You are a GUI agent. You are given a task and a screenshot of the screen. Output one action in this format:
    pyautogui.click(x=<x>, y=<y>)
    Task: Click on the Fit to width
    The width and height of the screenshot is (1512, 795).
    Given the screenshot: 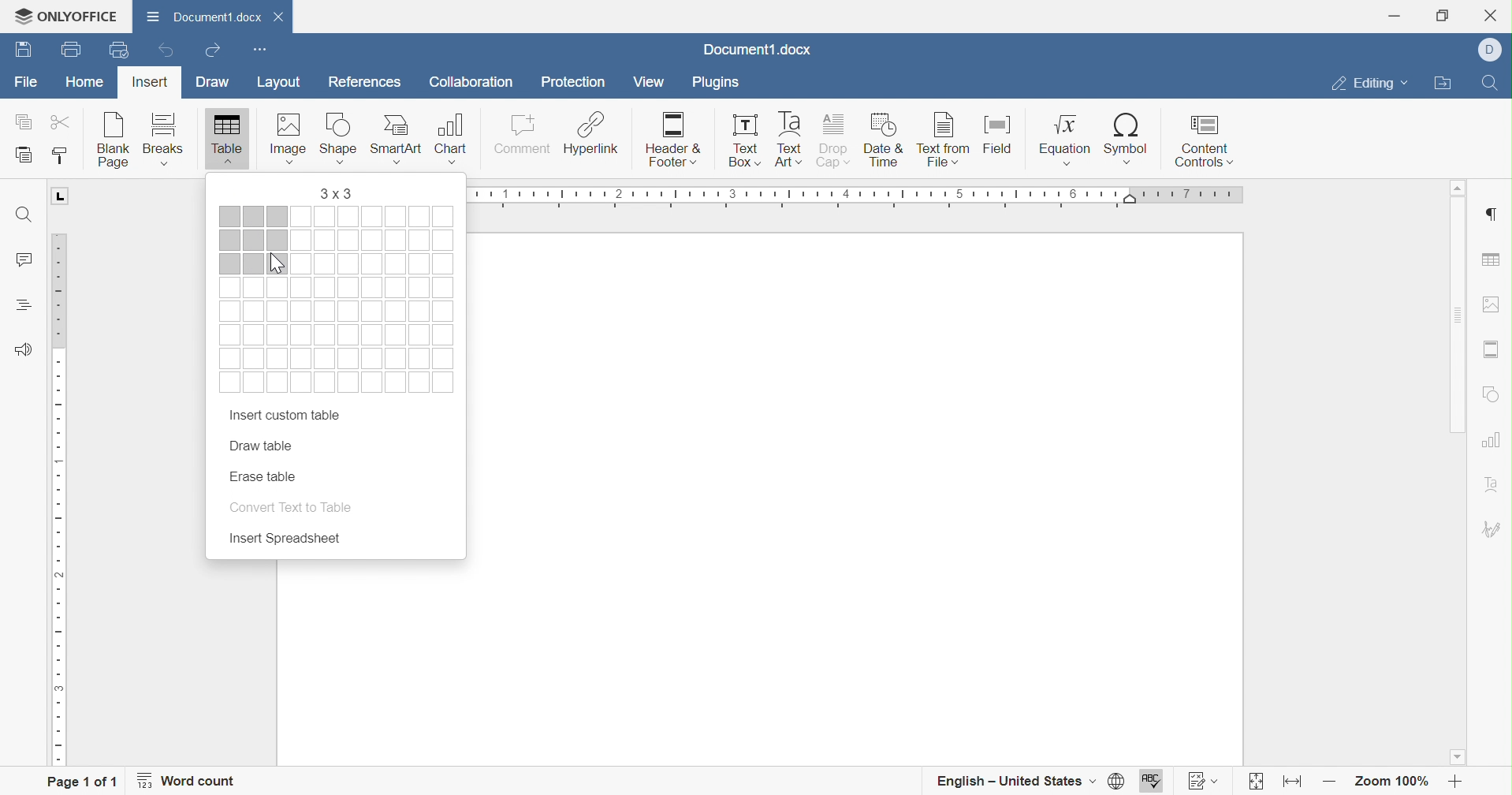 What is the action you would take?
    pyautogui.click(x=1292, y=782)
    